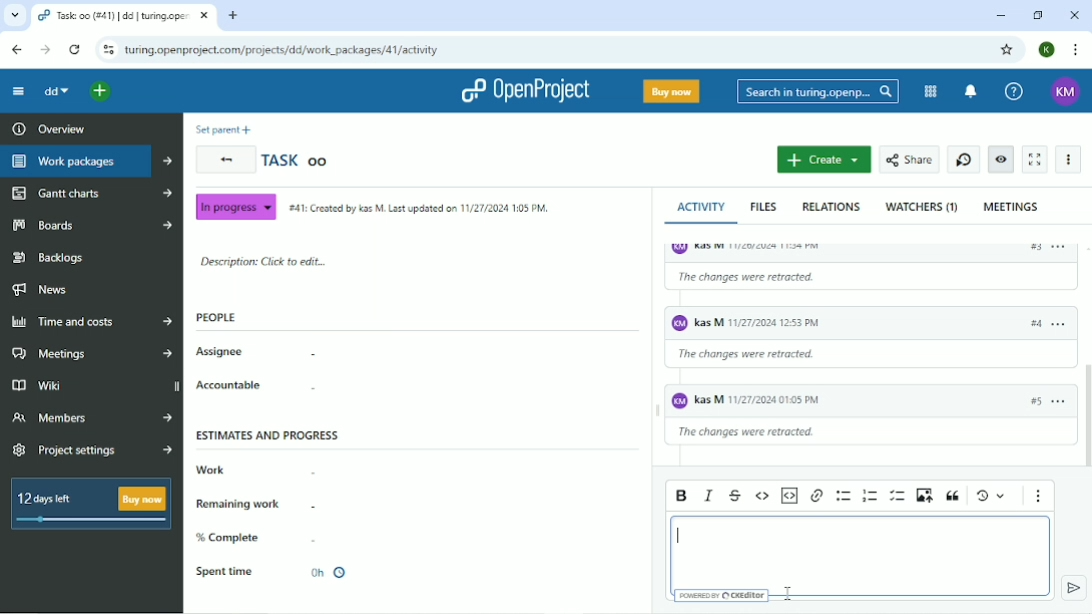  What do you see at coordinates (823, 160) in the screenshot?
I see `Create` at bounding box center [823, 160].